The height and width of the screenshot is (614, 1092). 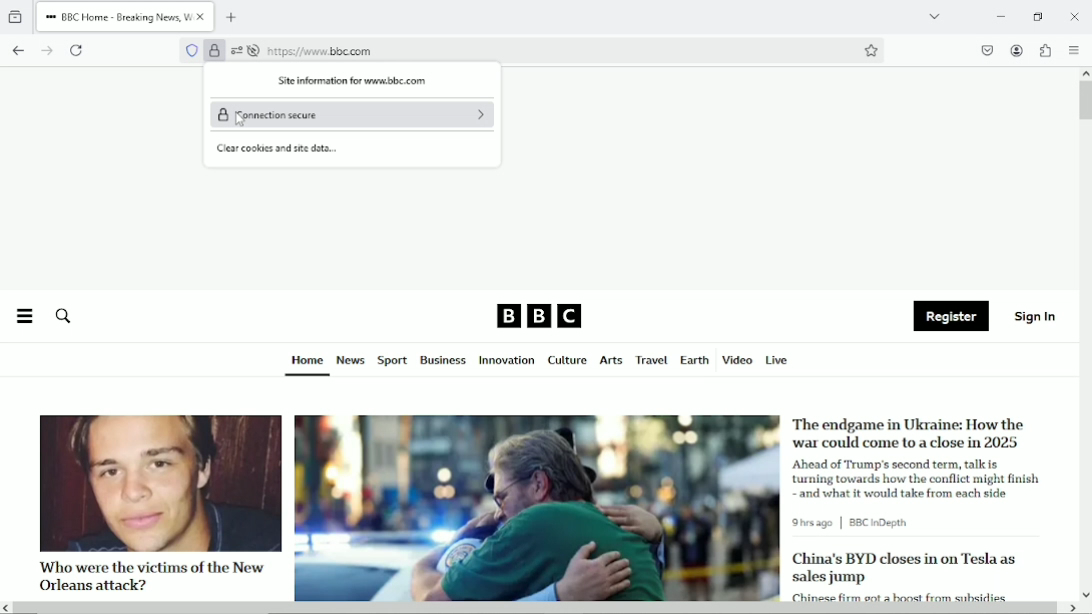 I want to click on Chinese firm got a boost from subsides, so click(x=899, y=595).